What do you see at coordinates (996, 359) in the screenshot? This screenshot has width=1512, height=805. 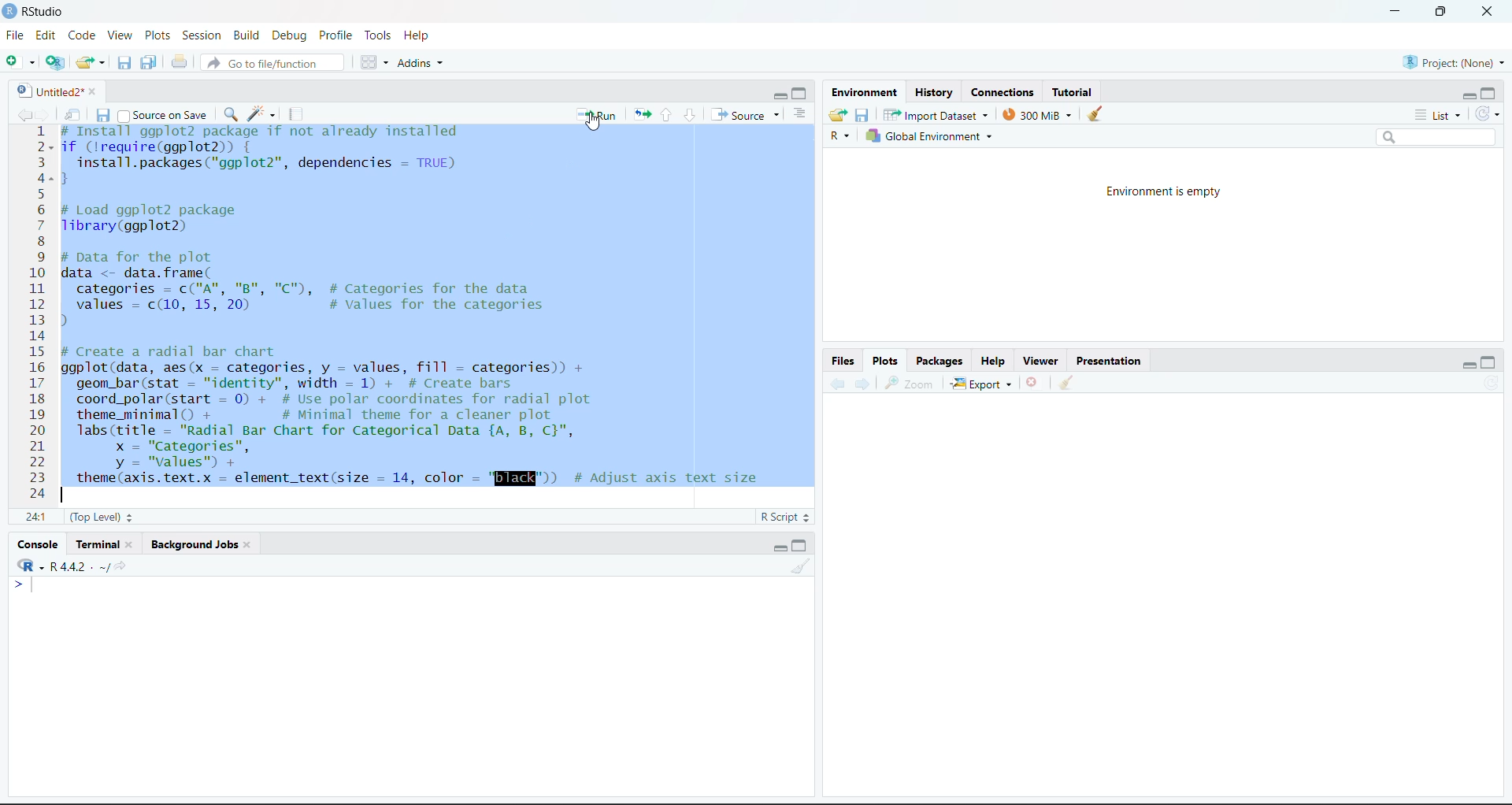 I see `Help` at bounding box center [996, 359].